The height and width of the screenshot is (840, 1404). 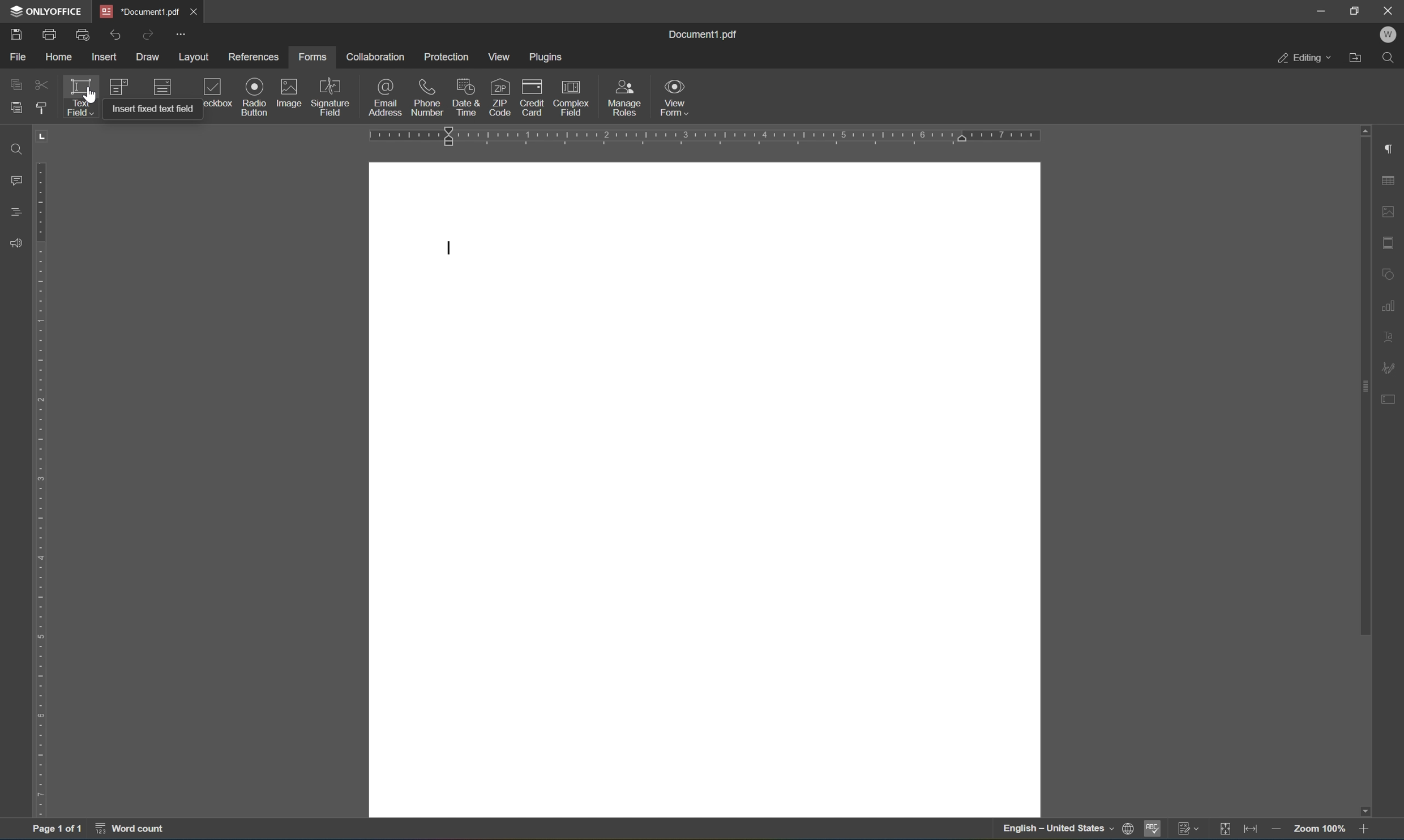 What do you see at coordinates (256, 57) in the screenshot?
I see `references` at bounding box center [256, 57].